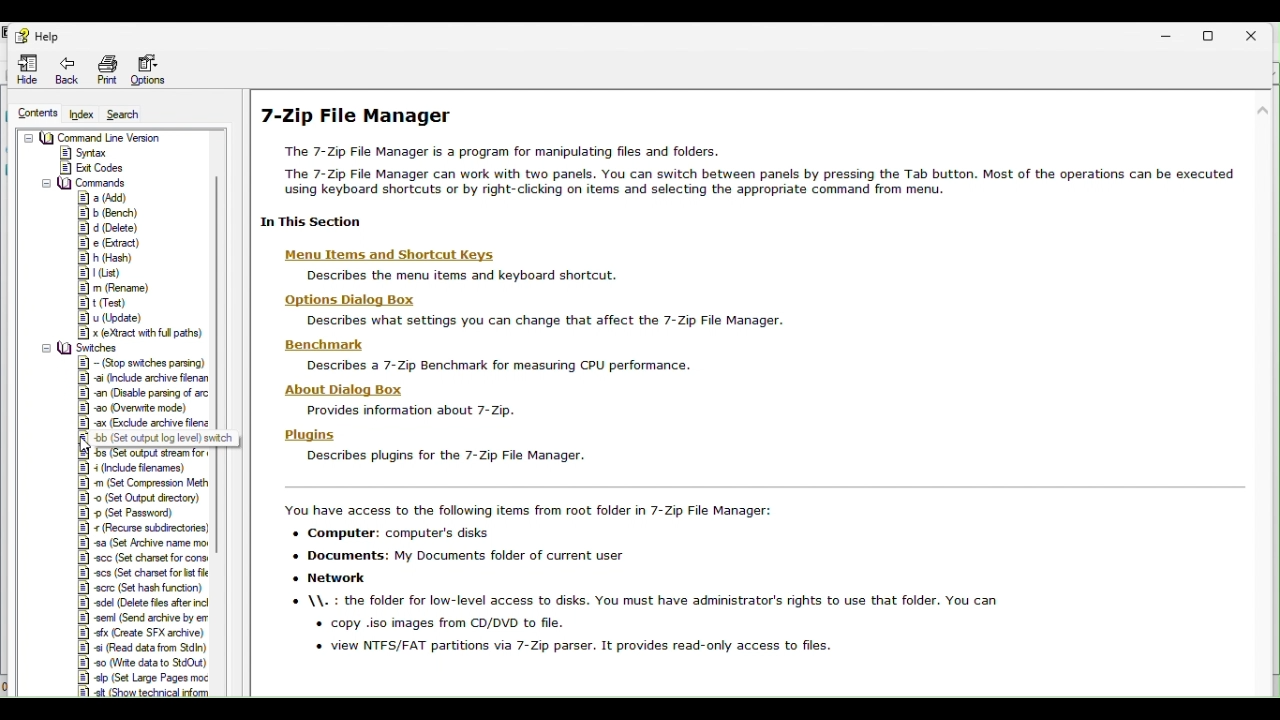  What do you see at coordinates (343, 302) in the screenshot?
I see `Options Dialog Box` at bounding box center [343, 302].